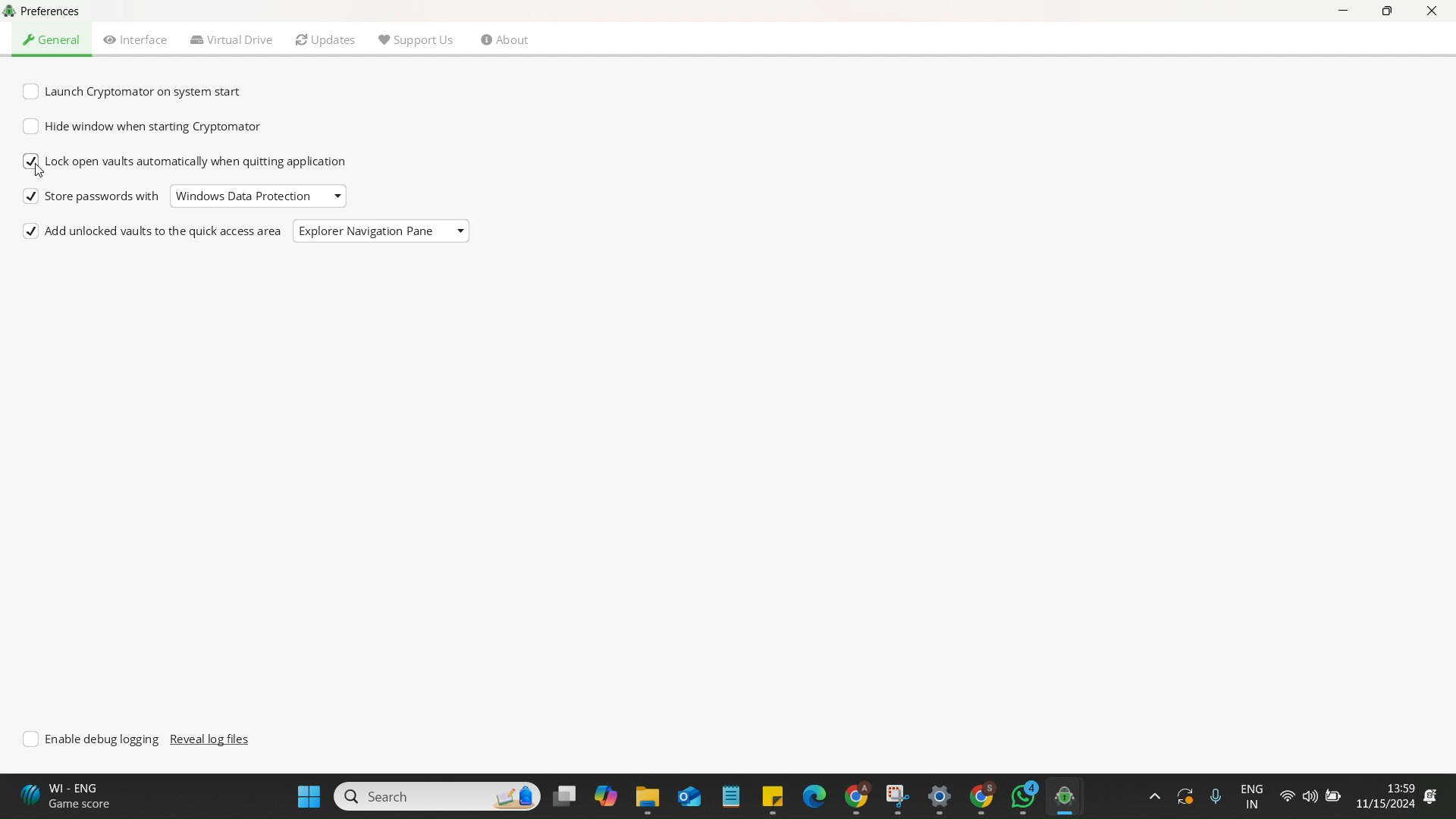  I want to click on Hide Window When using Cryptomator, so click(143, 127).